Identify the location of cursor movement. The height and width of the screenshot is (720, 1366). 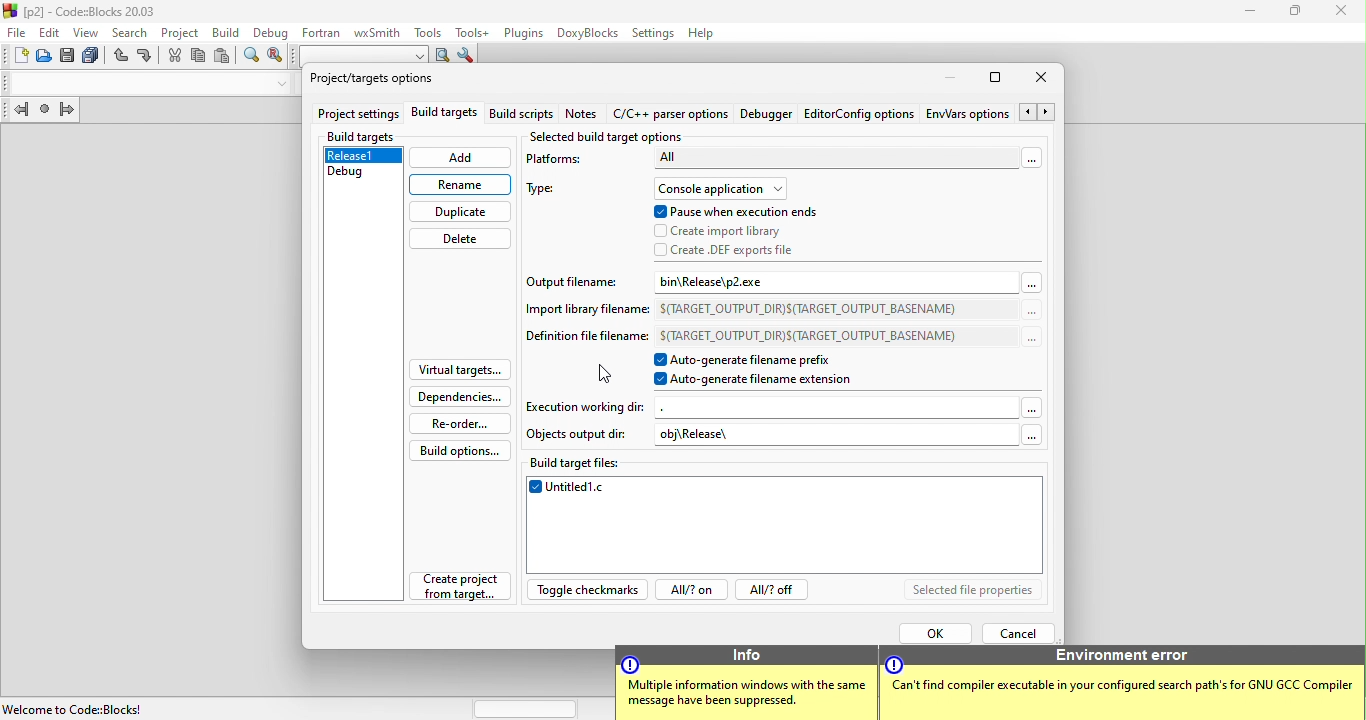
(604, 372).